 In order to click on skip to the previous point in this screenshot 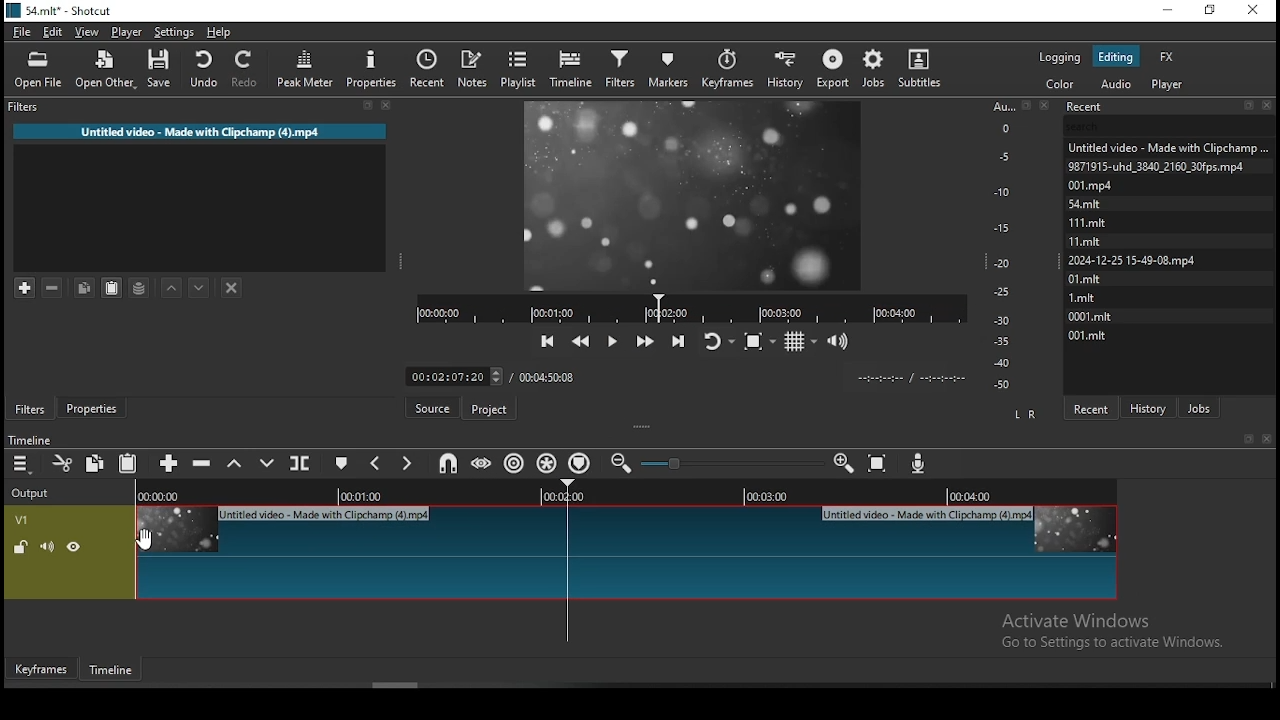, I will do `click(547, 339)`.